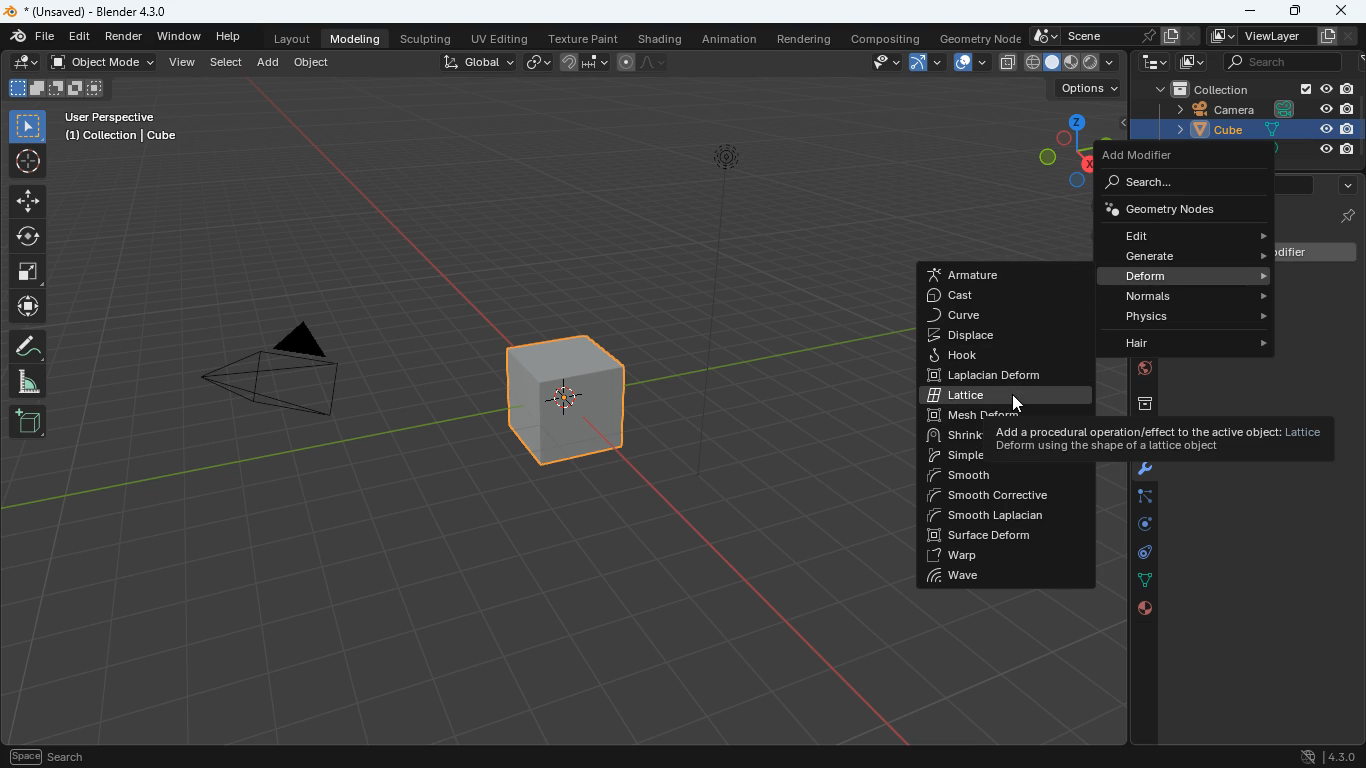 This screenshot has width=1366, height=768. Describe the element at coordinates (425, 37) in the screenshot. I see `sculpting` at that location.